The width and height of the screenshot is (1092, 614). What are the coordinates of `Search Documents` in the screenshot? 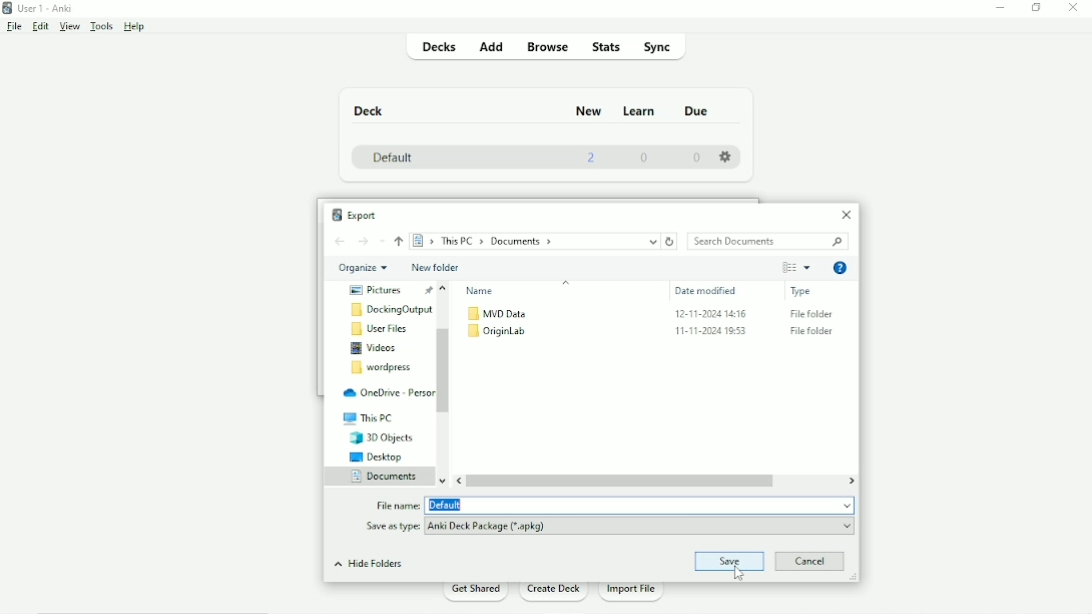 It's located at (769, 240).